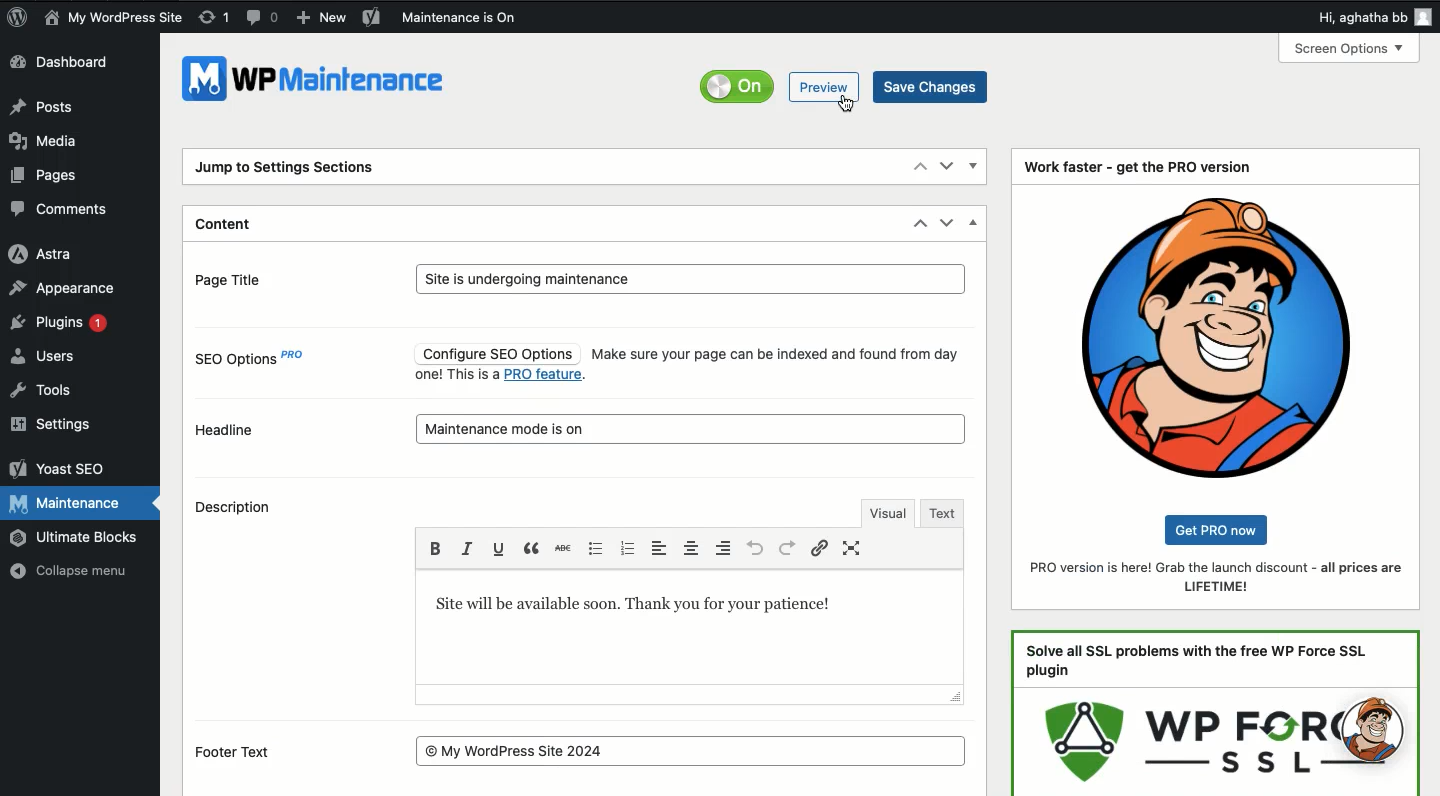  Describe the element at coordinates (741, 86) in the screenshot. I see `Off` at that location.